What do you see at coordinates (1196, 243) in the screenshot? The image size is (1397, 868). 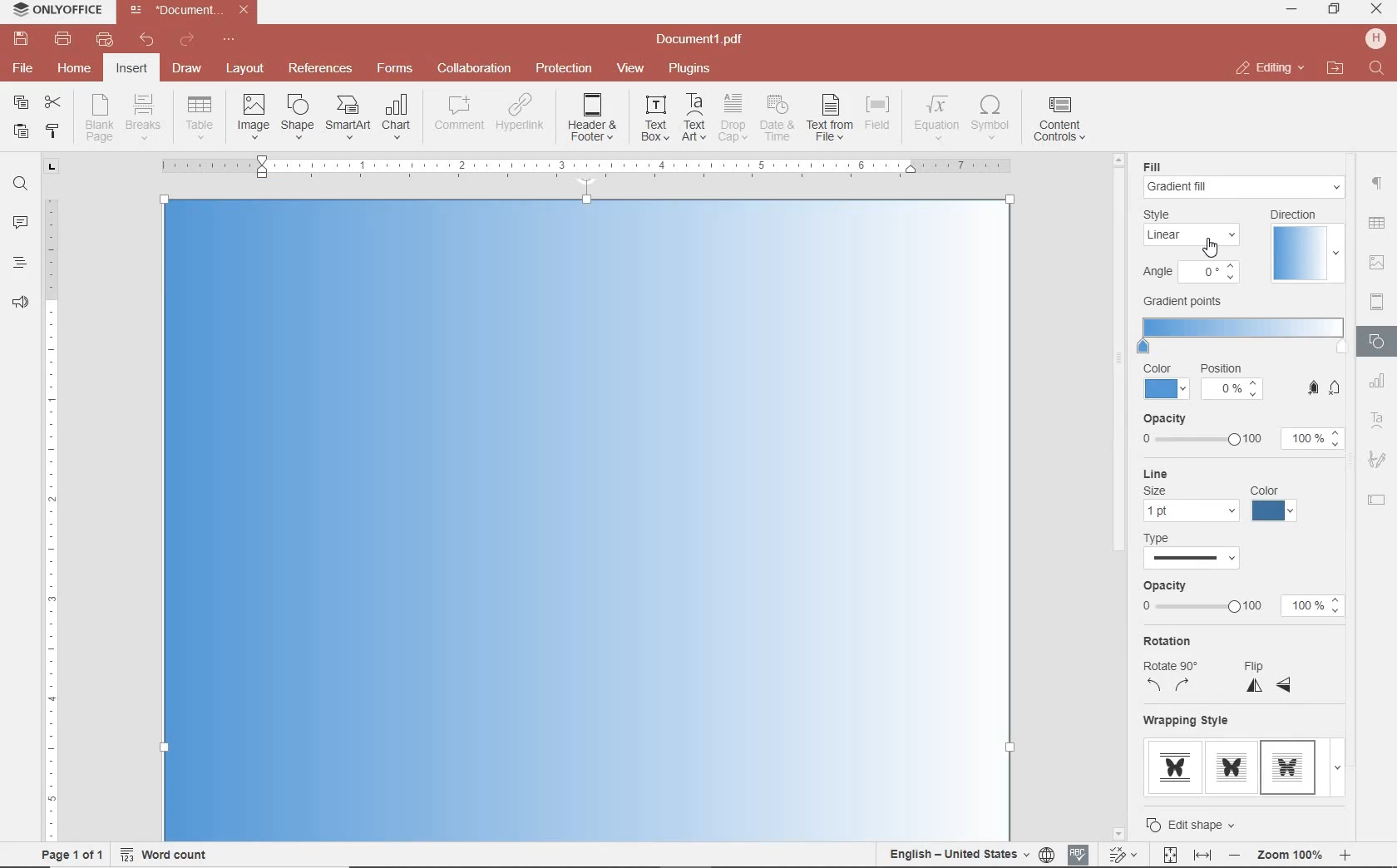 I see `GRADIENT` at bounding box center [1196, 243].